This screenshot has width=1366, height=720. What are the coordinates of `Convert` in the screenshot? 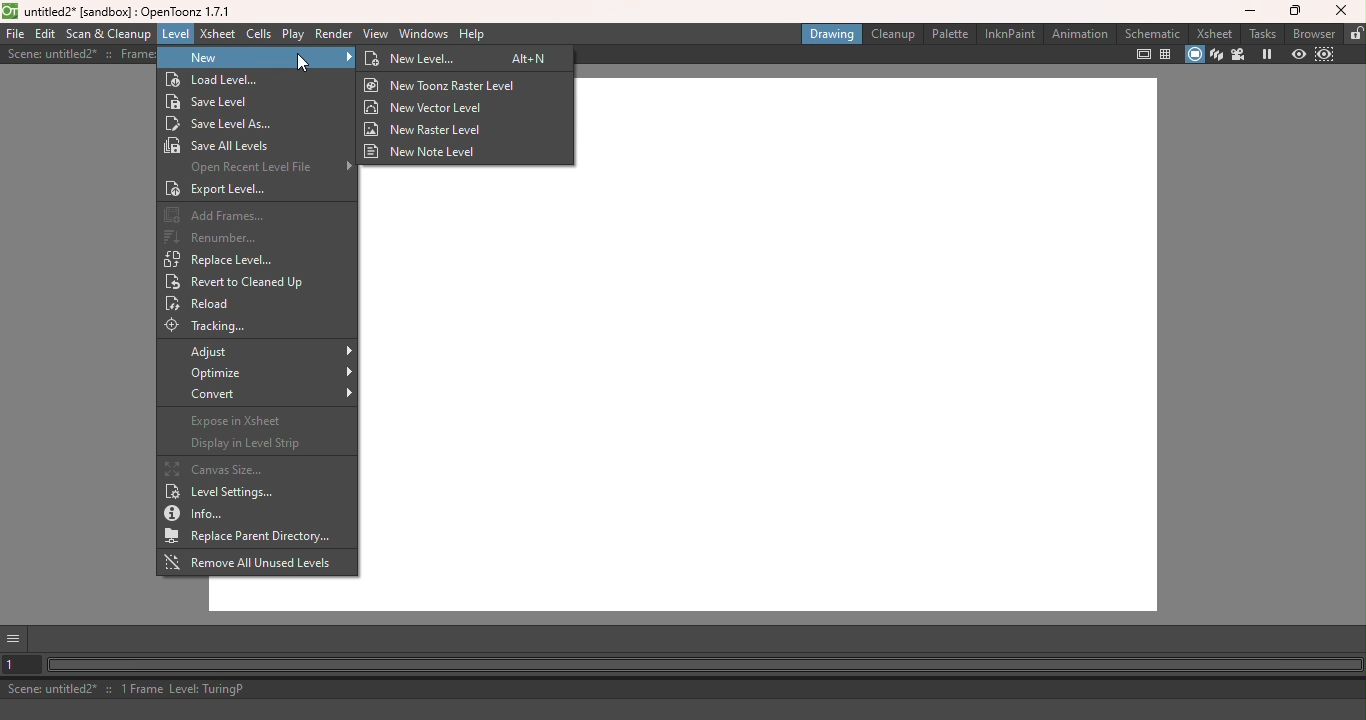 It's located at (268, 396).